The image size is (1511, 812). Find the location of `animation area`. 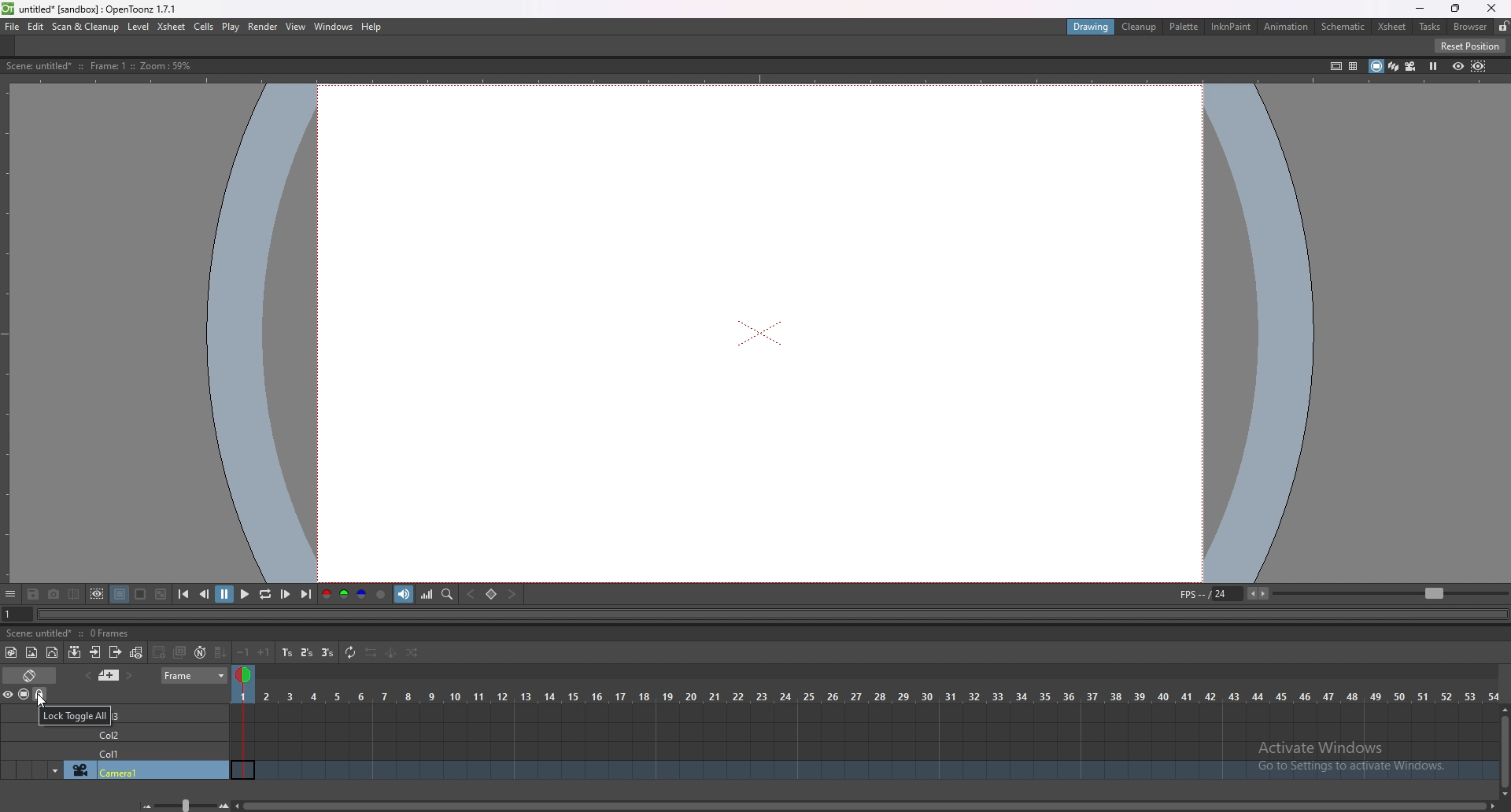

animation area is located at coordinates (762, 332).